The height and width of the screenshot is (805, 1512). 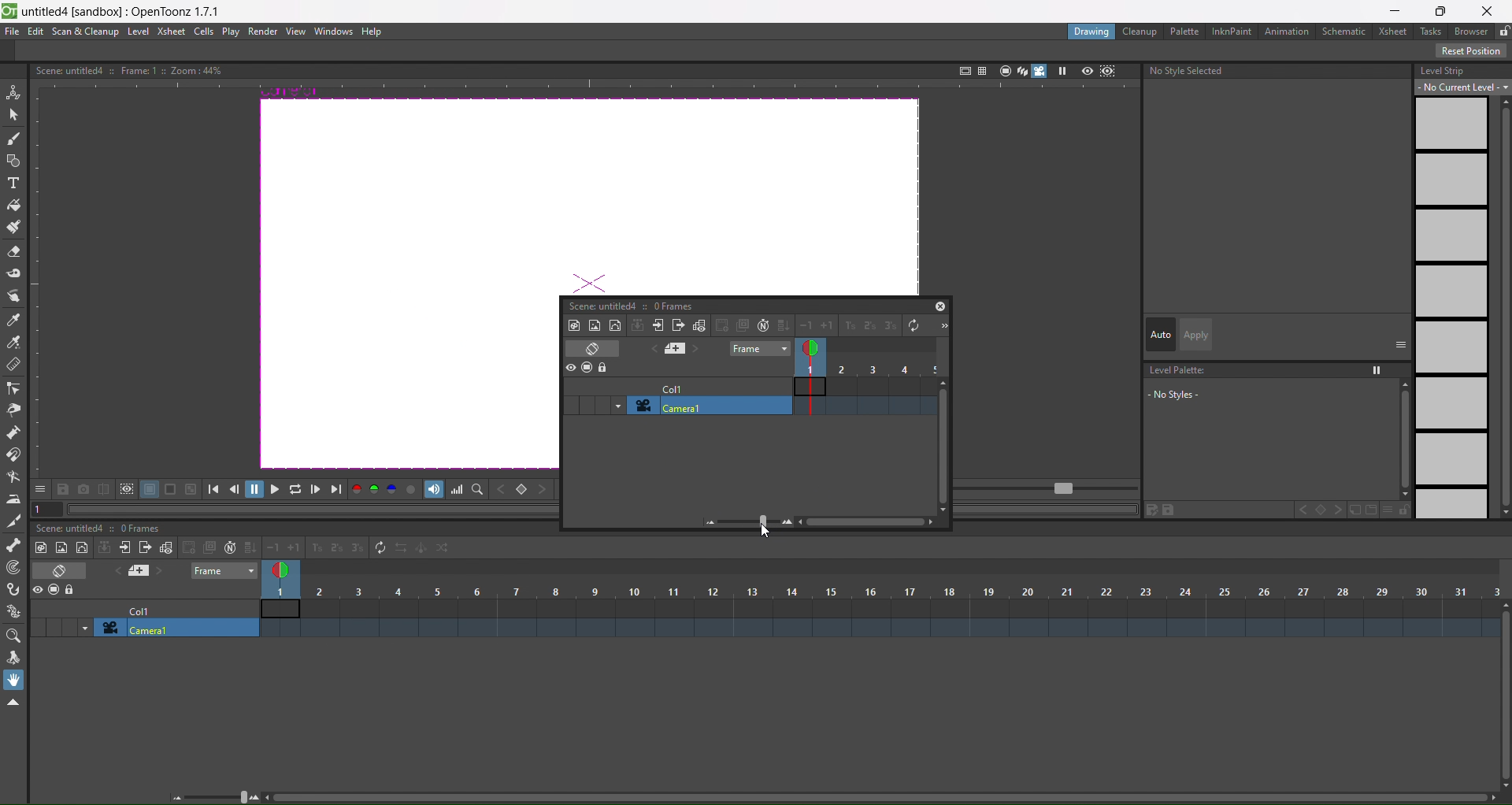 I want to click on text, so click(x=128, y=69).